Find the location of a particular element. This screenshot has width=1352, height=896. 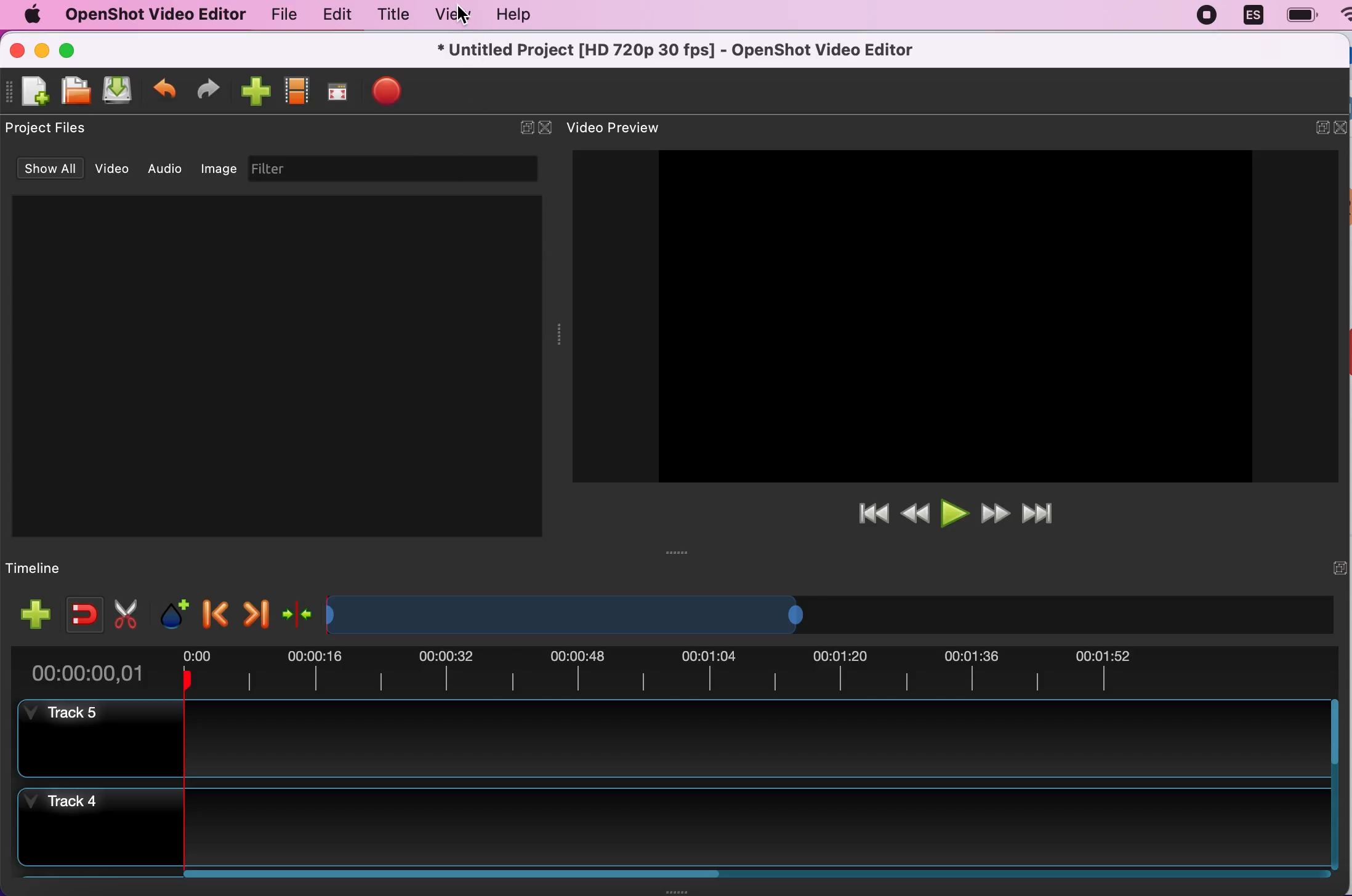

new file is located at coordinates (29, 97).